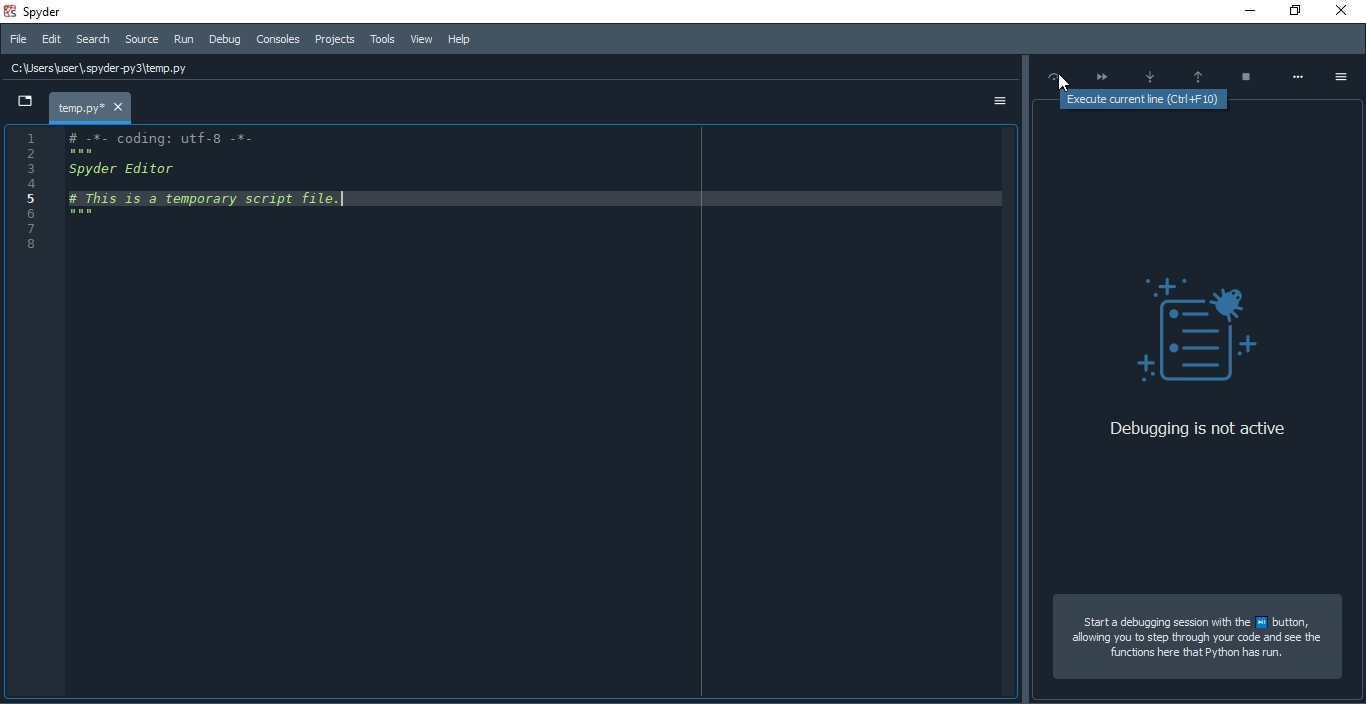 The height and width of the screenshot is (704, 1366). I want to click on options, so click(996, 103).